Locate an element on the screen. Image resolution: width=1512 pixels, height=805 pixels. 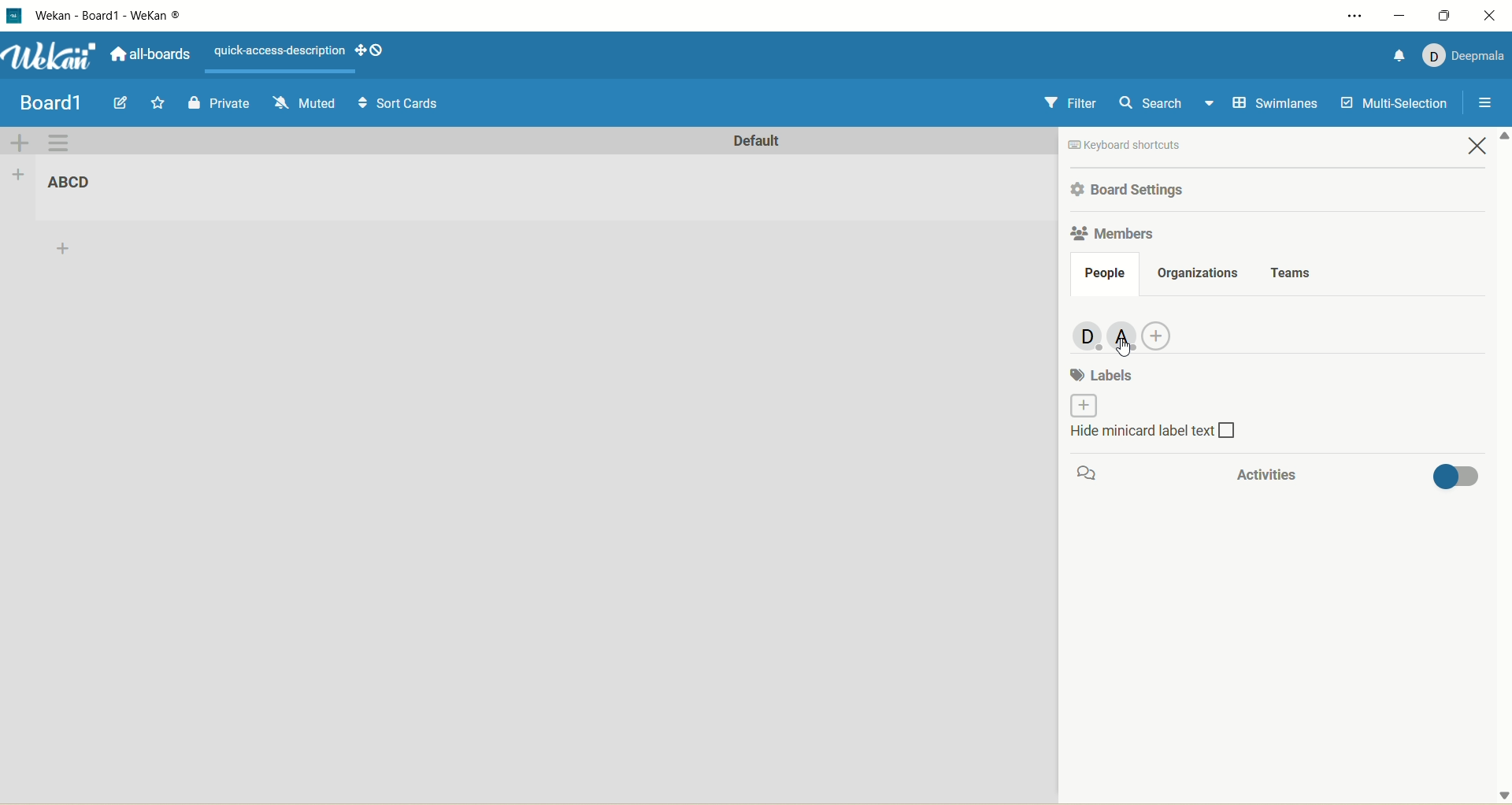
hide minicards is located at coordinates (1171, 436).